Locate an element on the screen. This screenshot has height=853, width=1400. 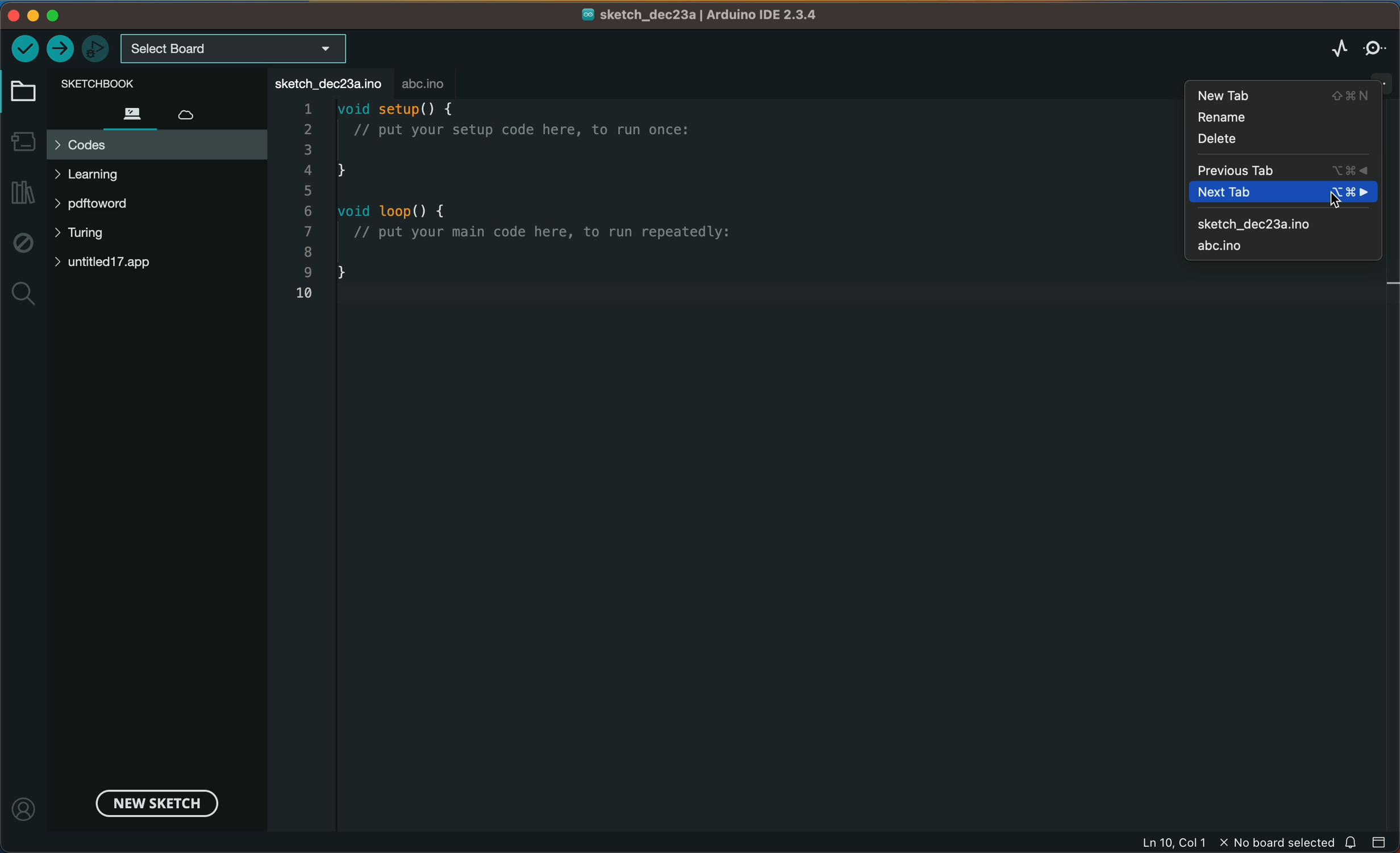
upload is located at coordinates (60, 49).